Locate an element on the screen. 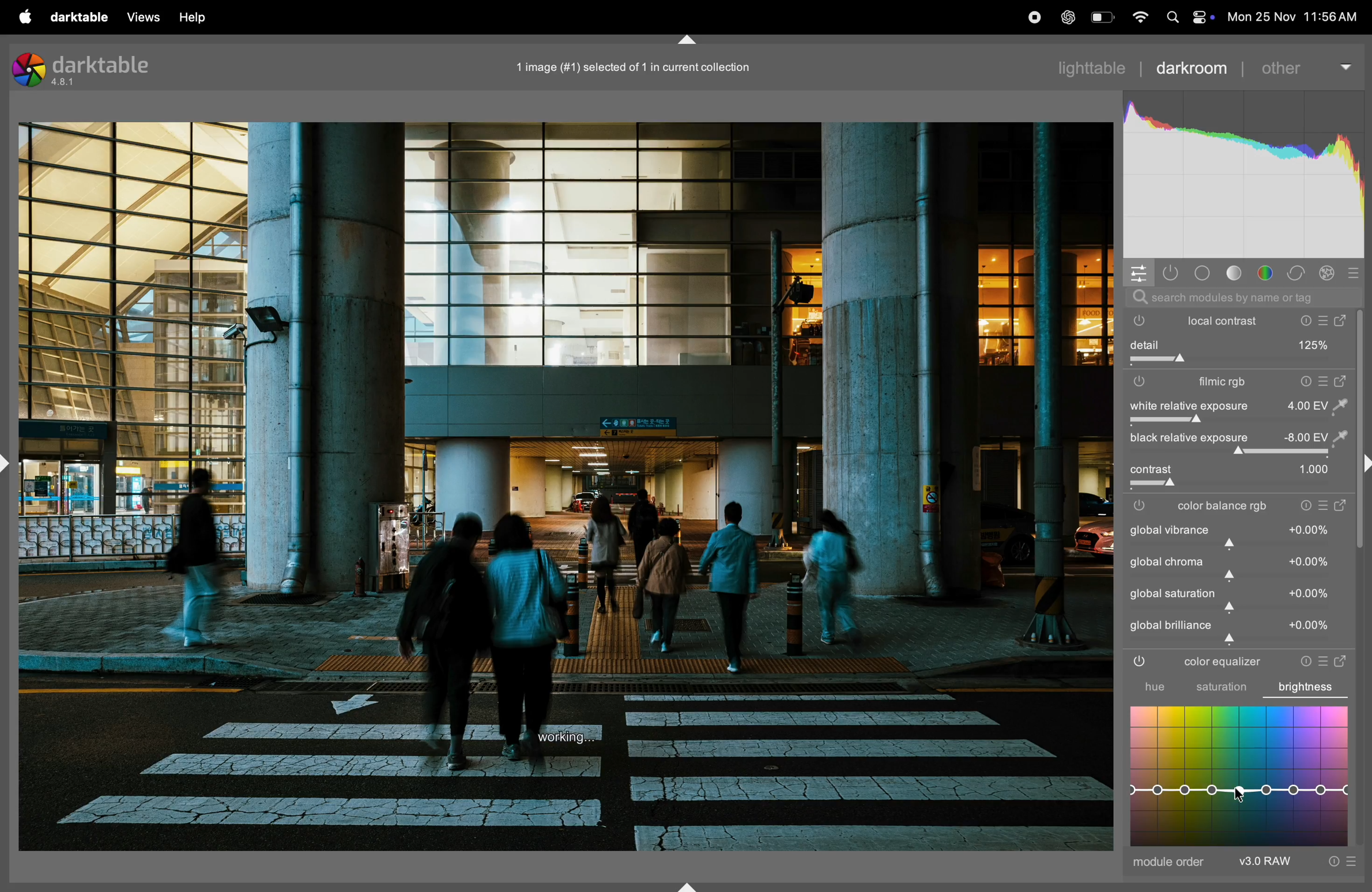 This screenshot has width=1372, height=892. wifi is located at coordinates (1139, 17).